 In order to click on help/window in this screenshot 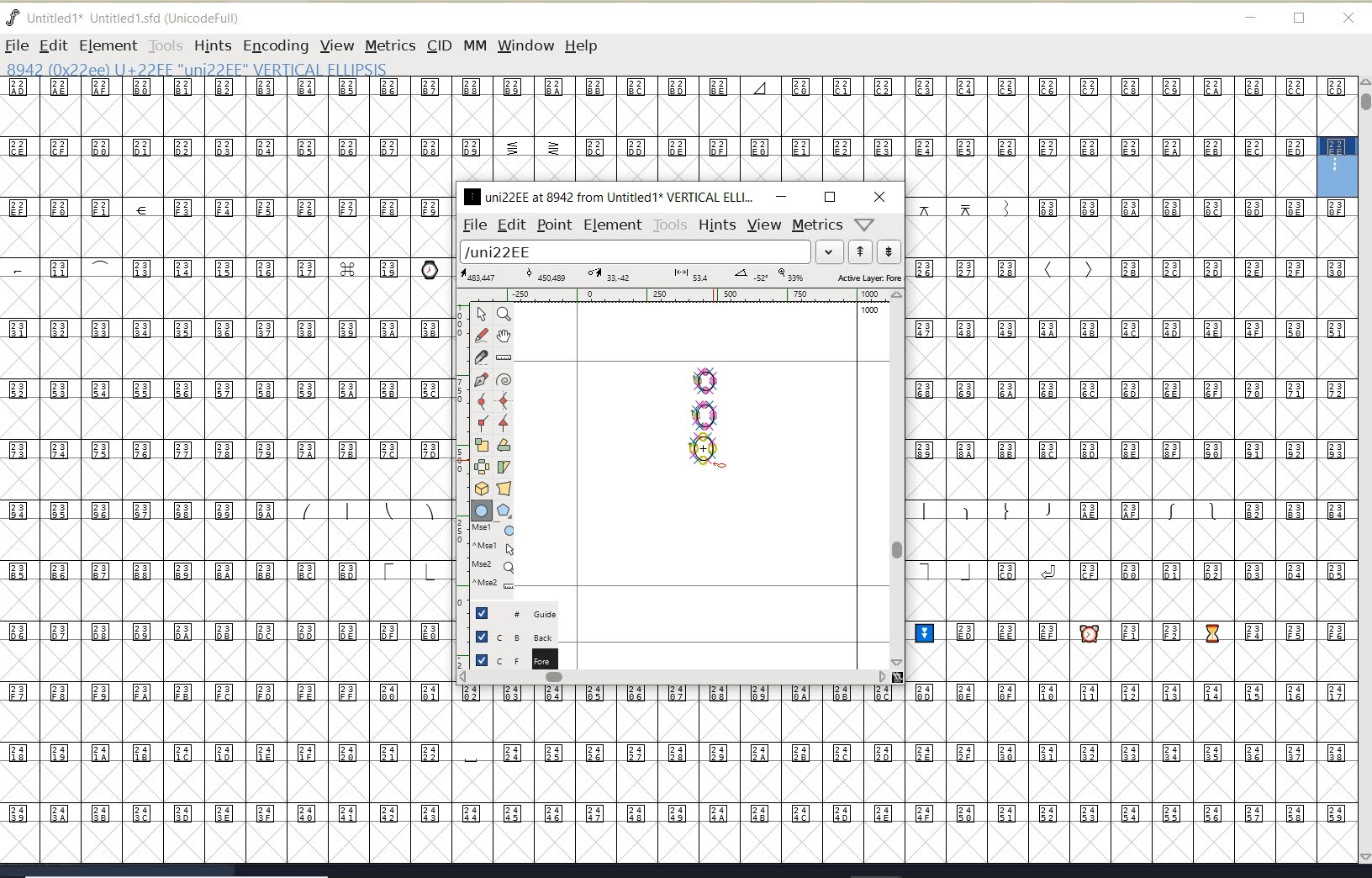, I will do `click(865, 223)`.